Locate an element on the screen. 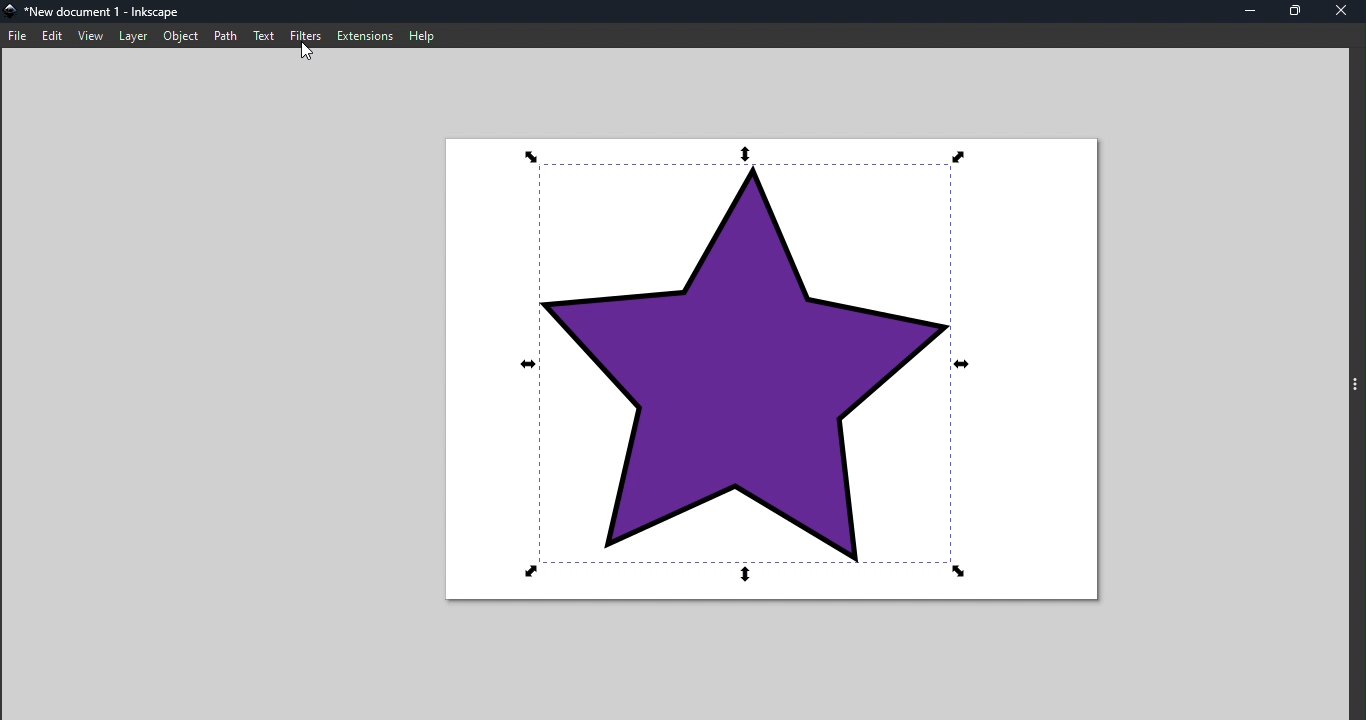 The height and width of the screenshot is (720, 1366). Path is located at coordinates (228, 34).